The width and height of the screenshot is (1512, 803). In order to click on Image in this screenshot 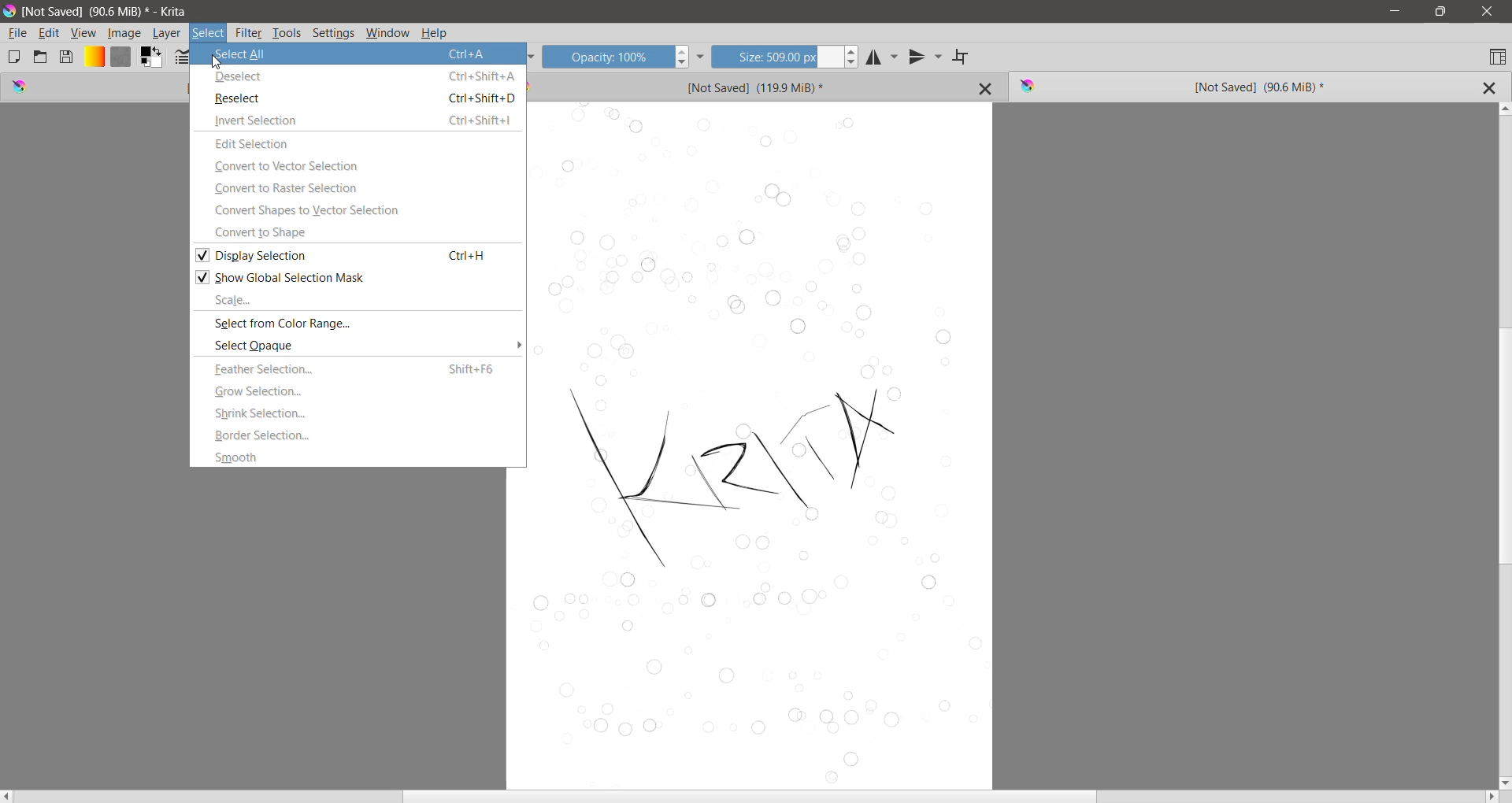, I will do `click(124, 34)`.